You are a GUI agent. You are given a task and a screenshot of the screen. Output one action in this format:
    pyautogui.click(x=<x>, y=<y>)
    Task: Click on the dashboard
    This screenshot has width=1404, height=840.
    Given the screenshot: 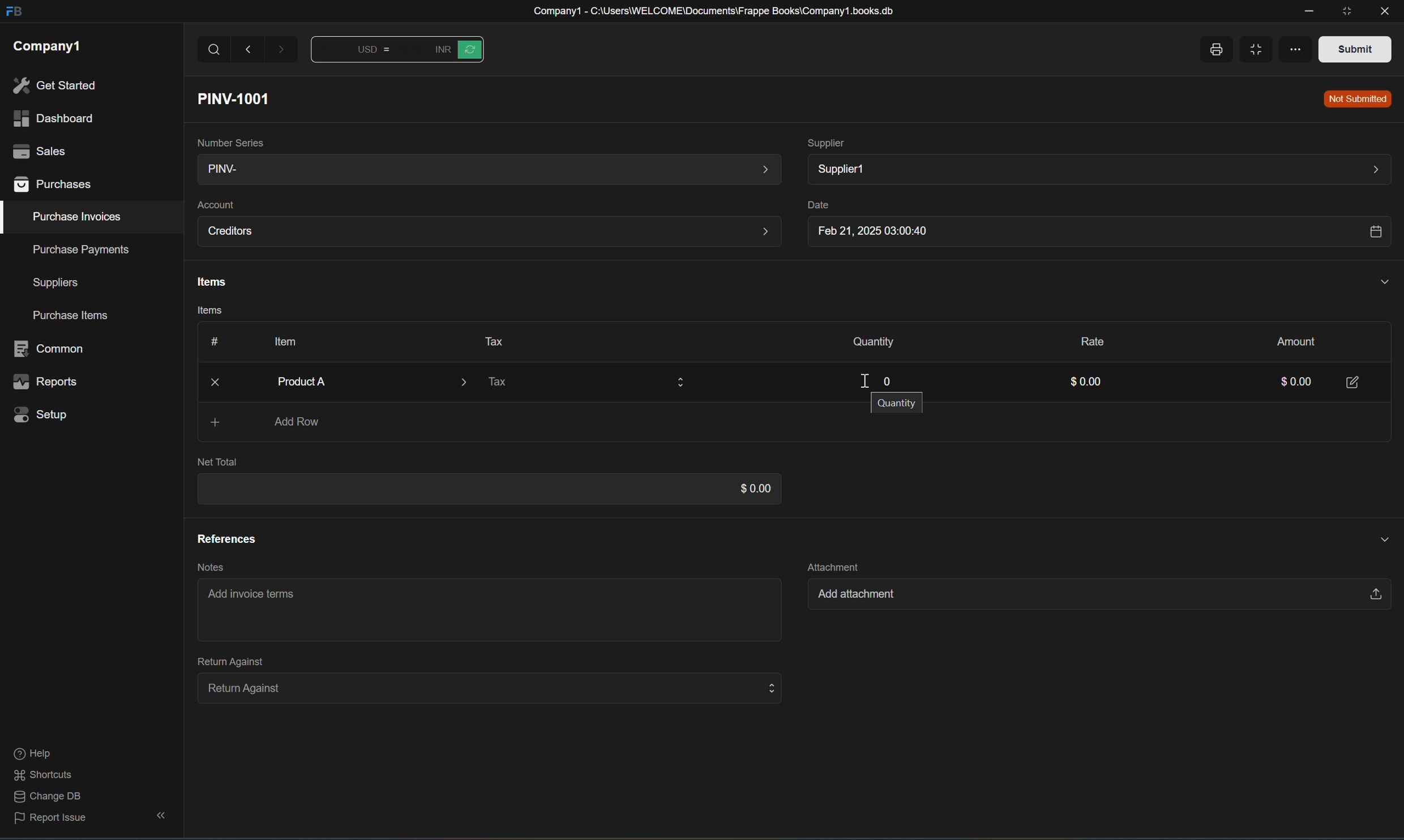 What is the action you would take?
    pyautogui.click(x=52, y=119)
    